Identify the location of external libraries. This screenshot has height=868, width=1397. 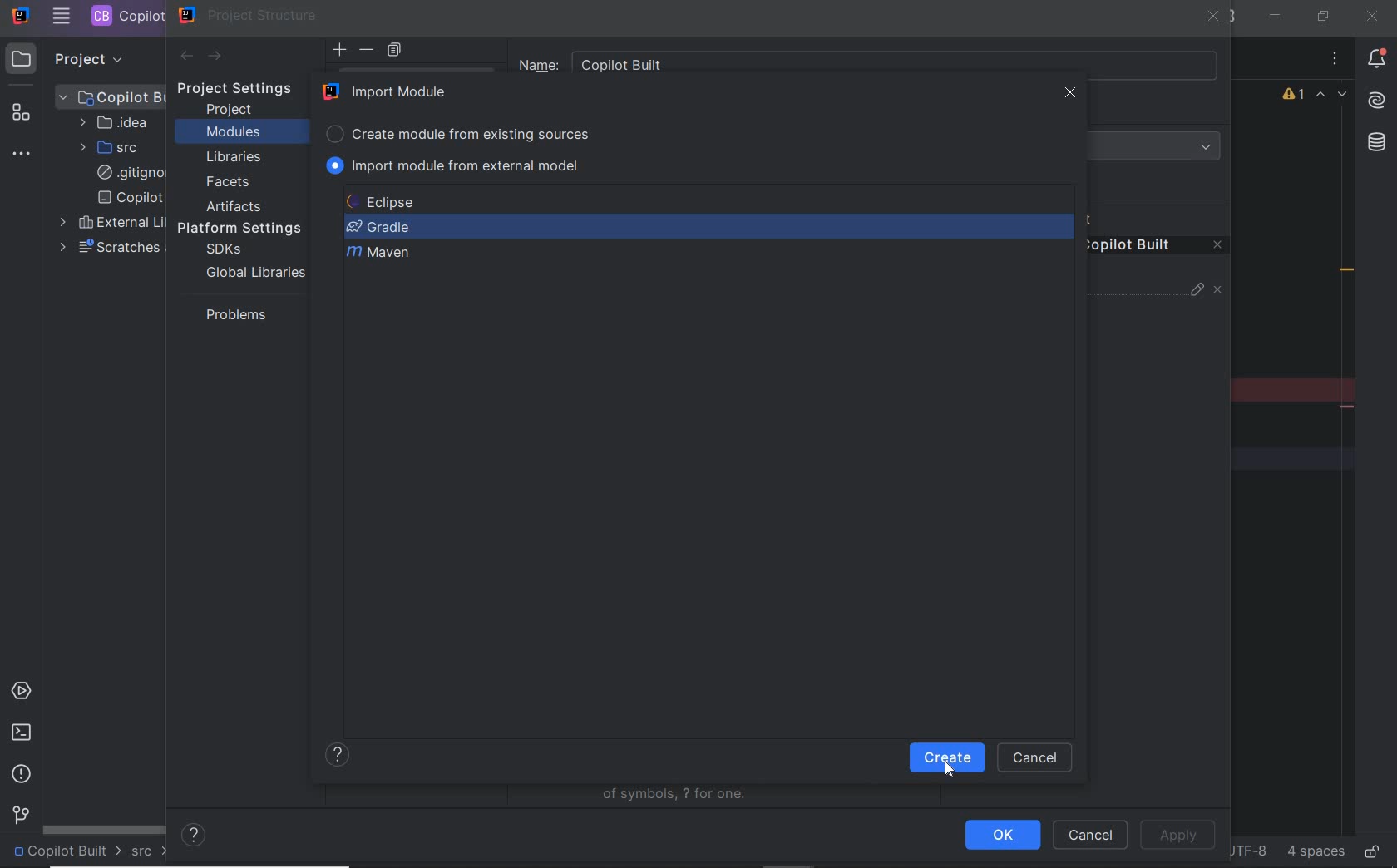
(109, 223).